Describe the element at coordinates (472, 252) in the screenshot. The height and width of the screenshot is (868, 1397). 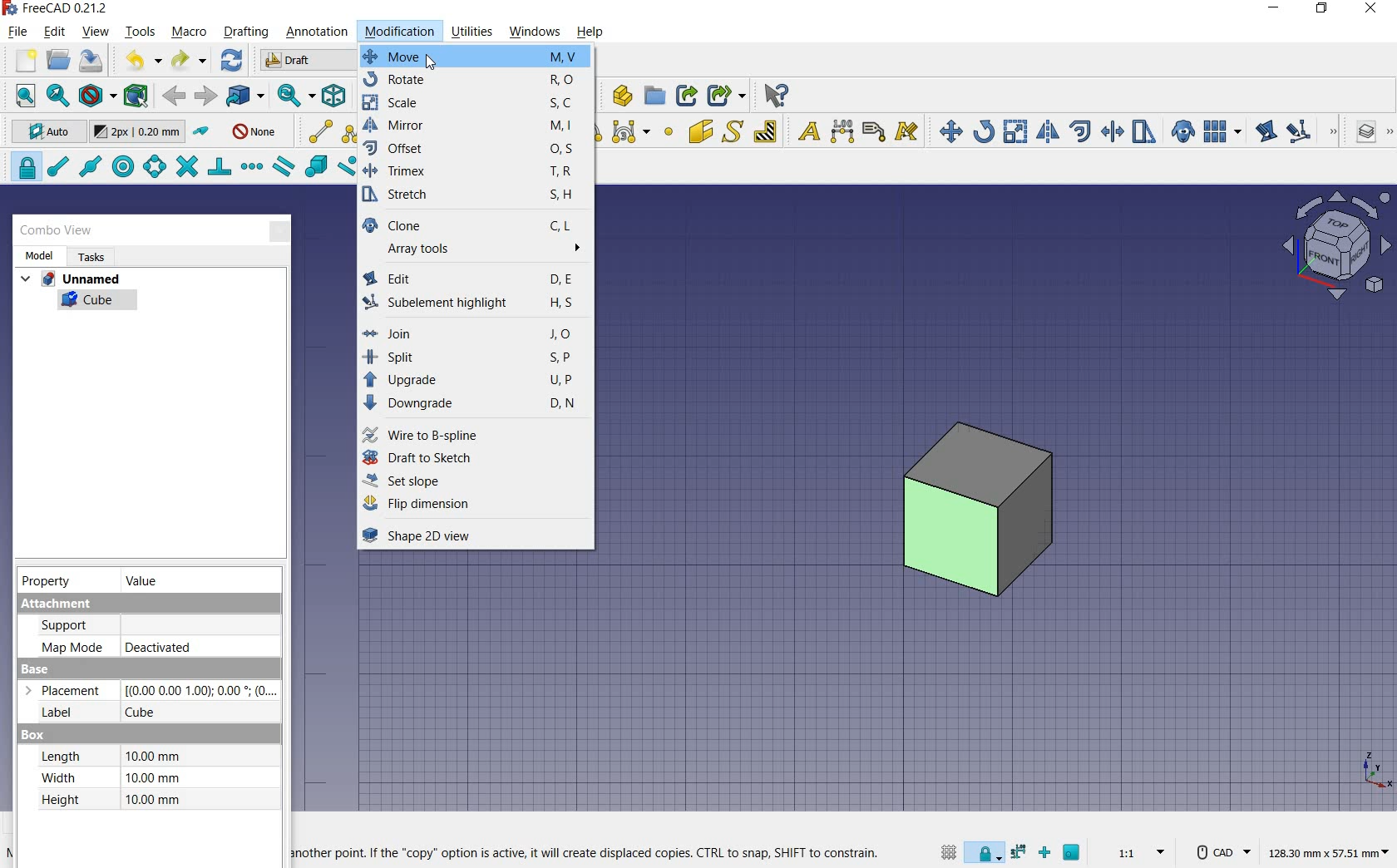
I see `array tools` at that location.